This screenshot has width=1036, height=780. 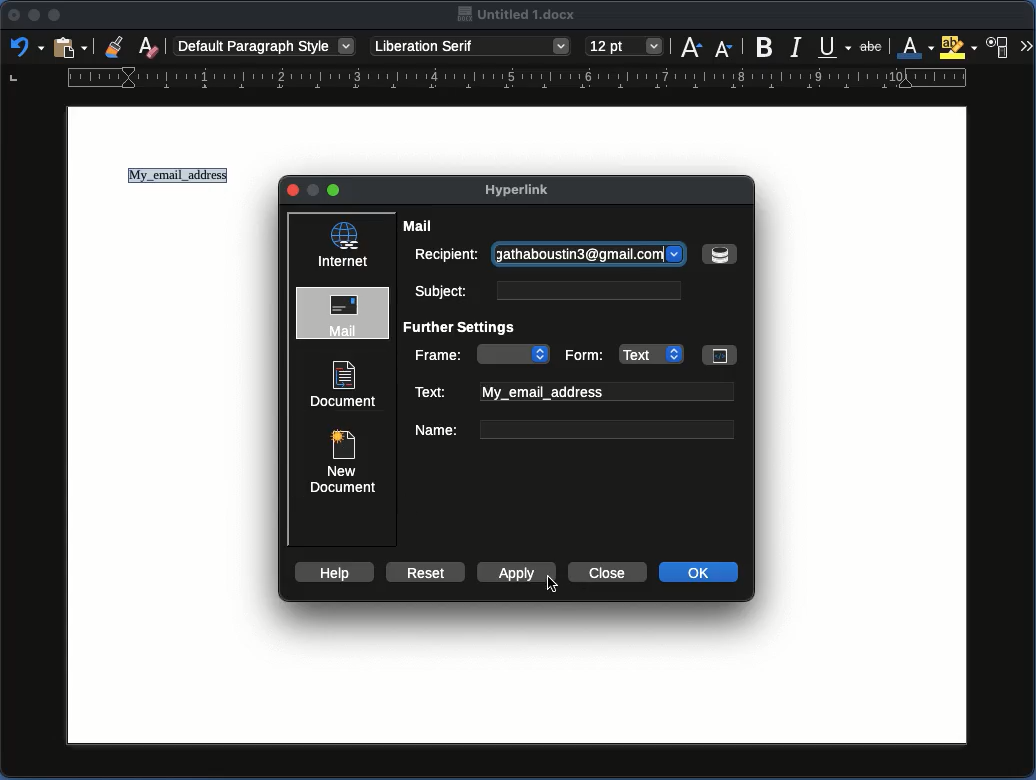 What do you see at coordinates (345, 314) in the screenshot?
I see `Mail` at bounding box center [345, 314].